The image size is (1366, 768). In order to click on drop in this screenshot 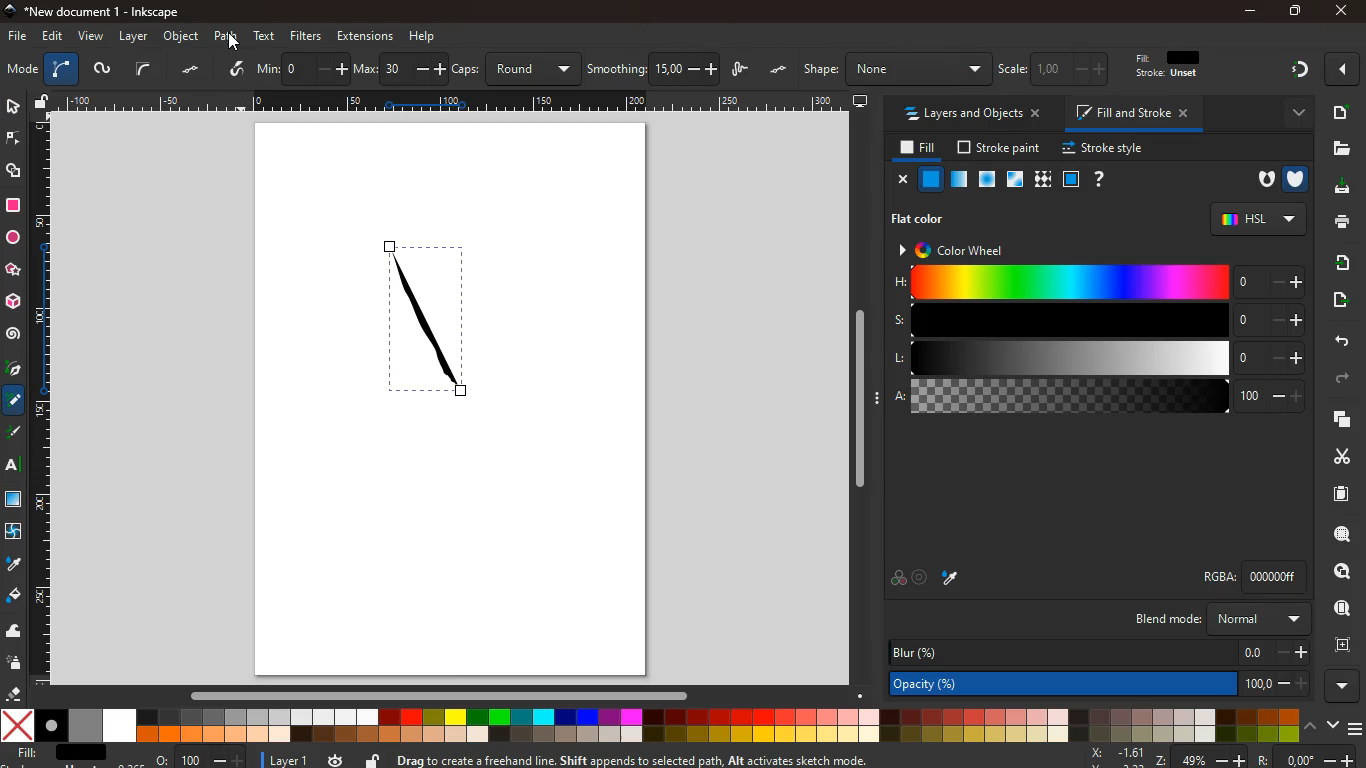, I will do `click(13, 565)`.